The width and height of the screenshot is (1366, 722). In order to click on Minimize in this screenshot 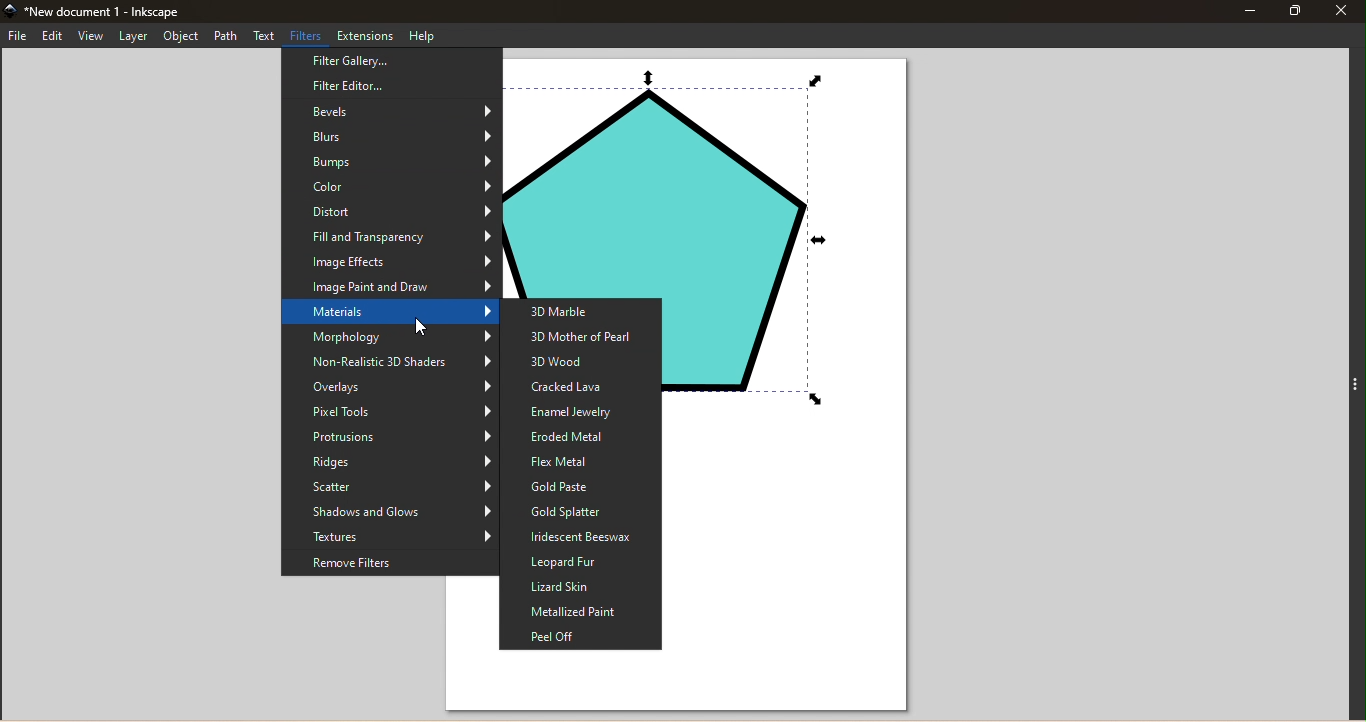, I will do `click(1248, 10)`.